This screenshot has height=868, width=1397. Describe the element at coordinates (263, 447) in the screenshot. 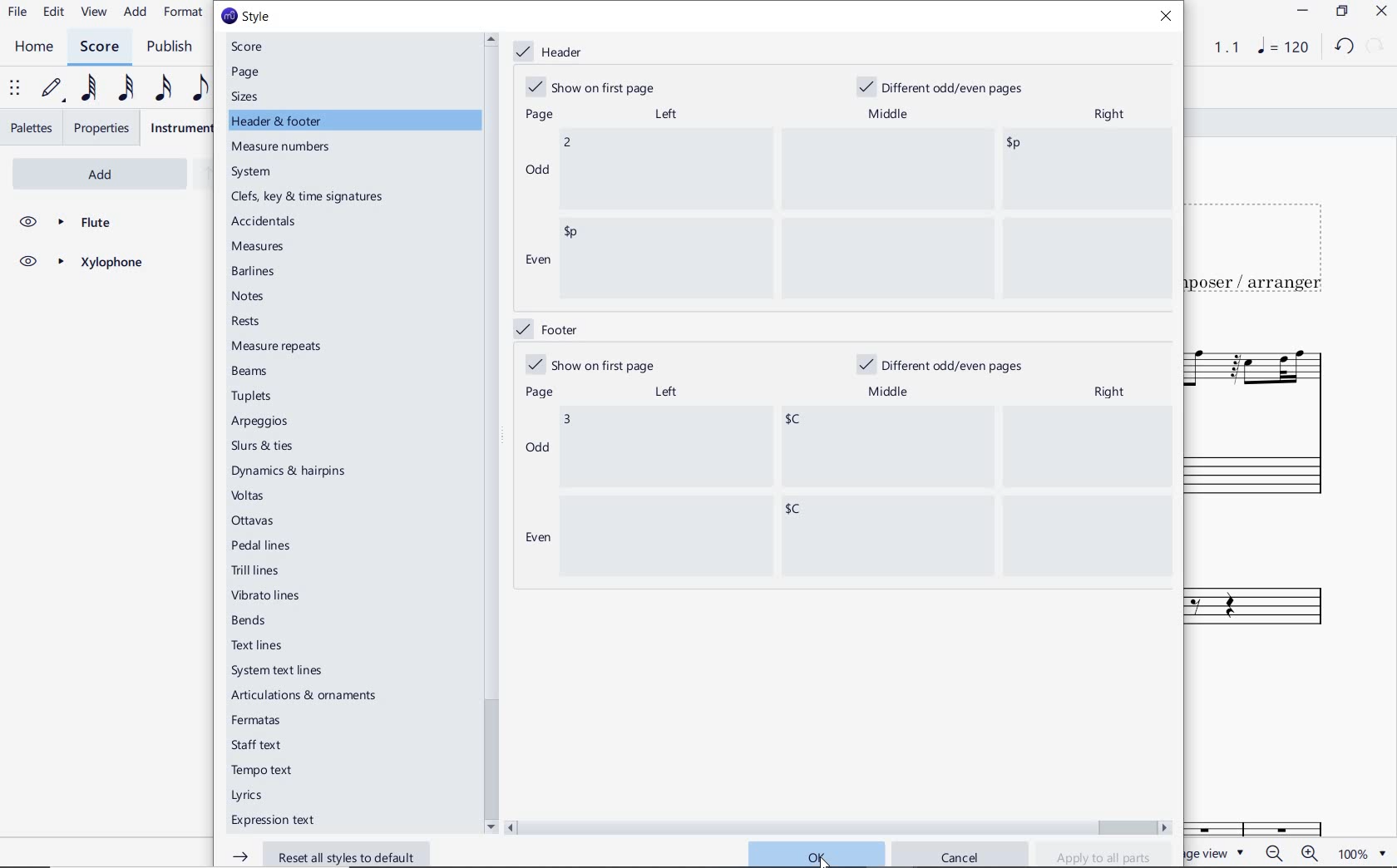

I see `slurs & ties` at that location.